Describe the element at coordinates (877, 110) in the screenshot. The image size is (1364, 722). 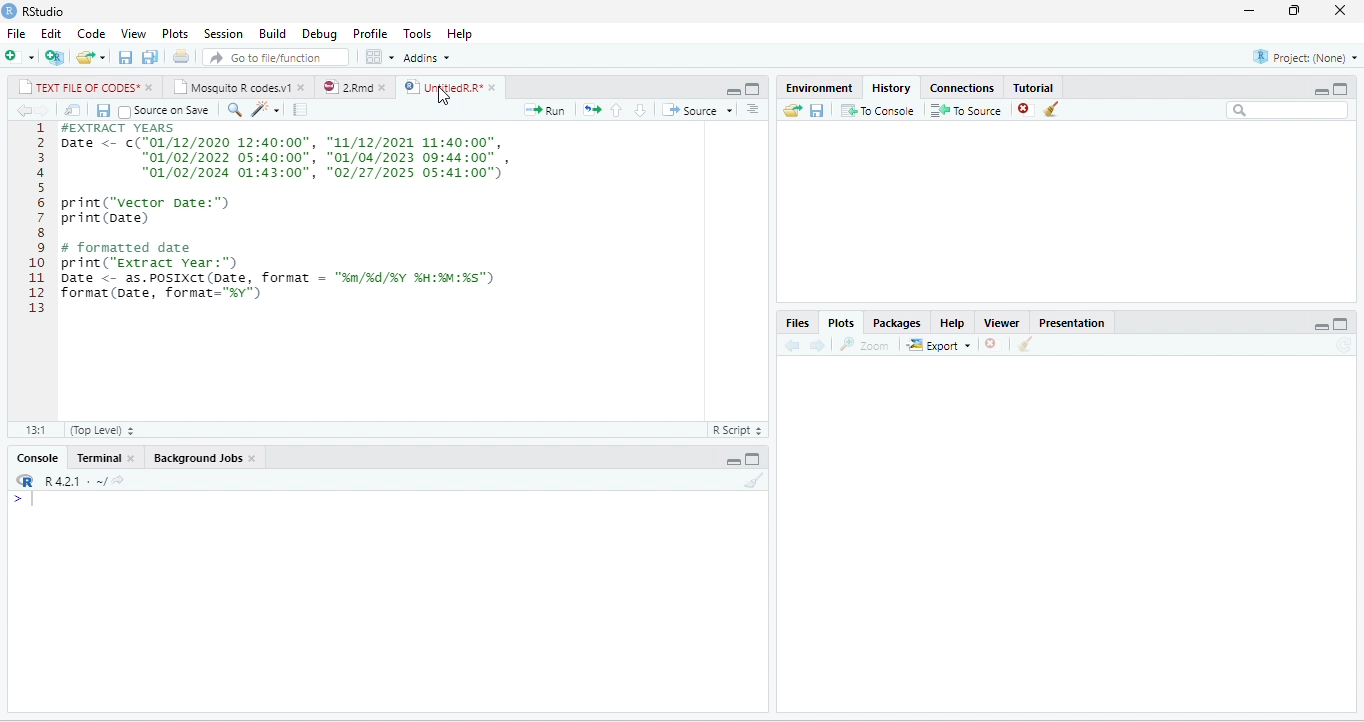
I see `To Console` at that location.